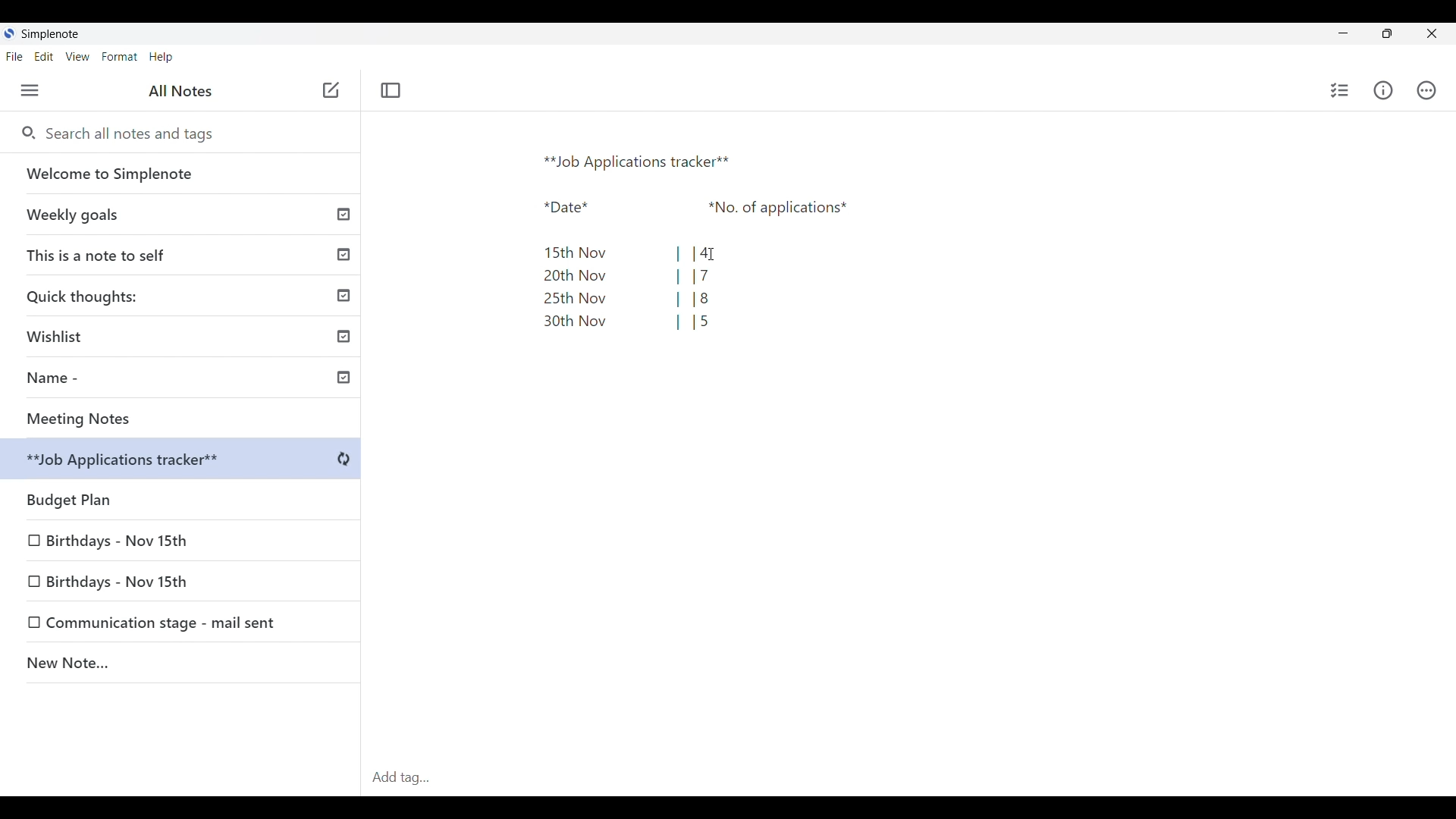 The height and width of the screenshot is (819, 1456). I want to click on Wishlist, so click(186, 334).